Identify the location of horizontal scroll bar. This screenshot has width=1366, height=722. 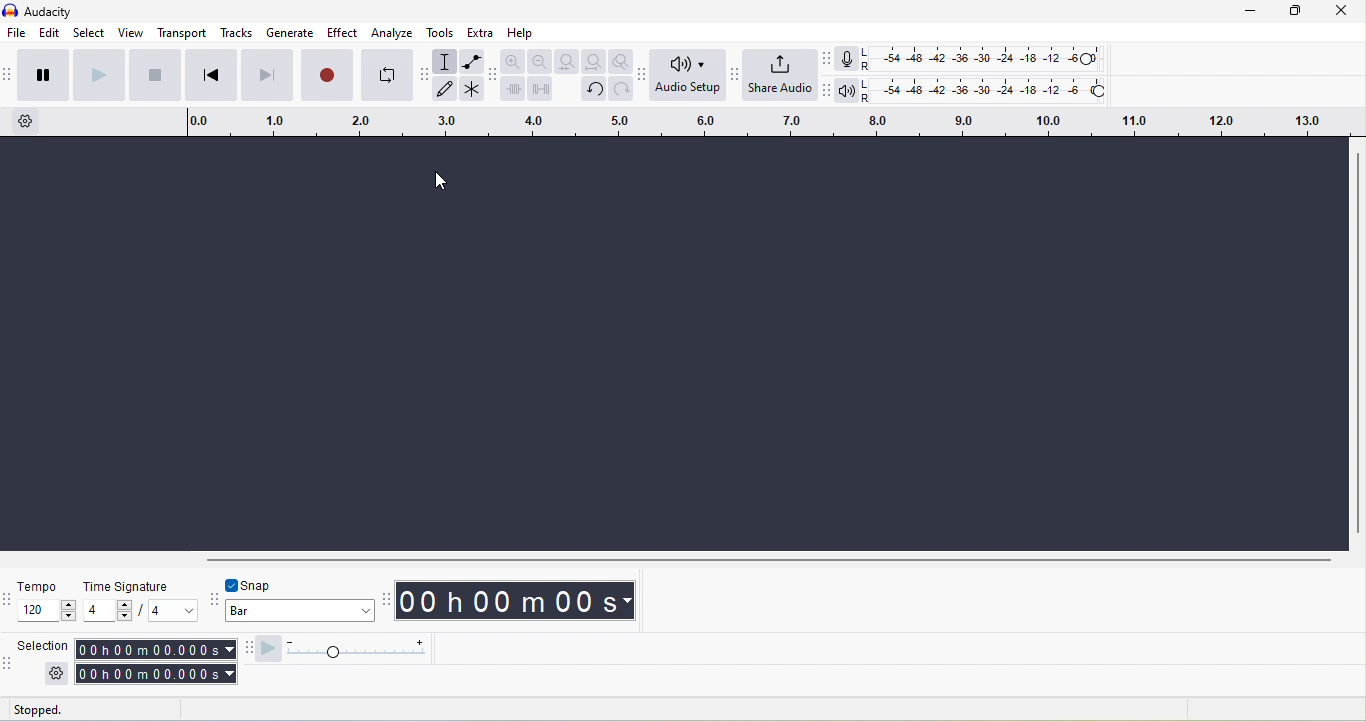
(775, 559).